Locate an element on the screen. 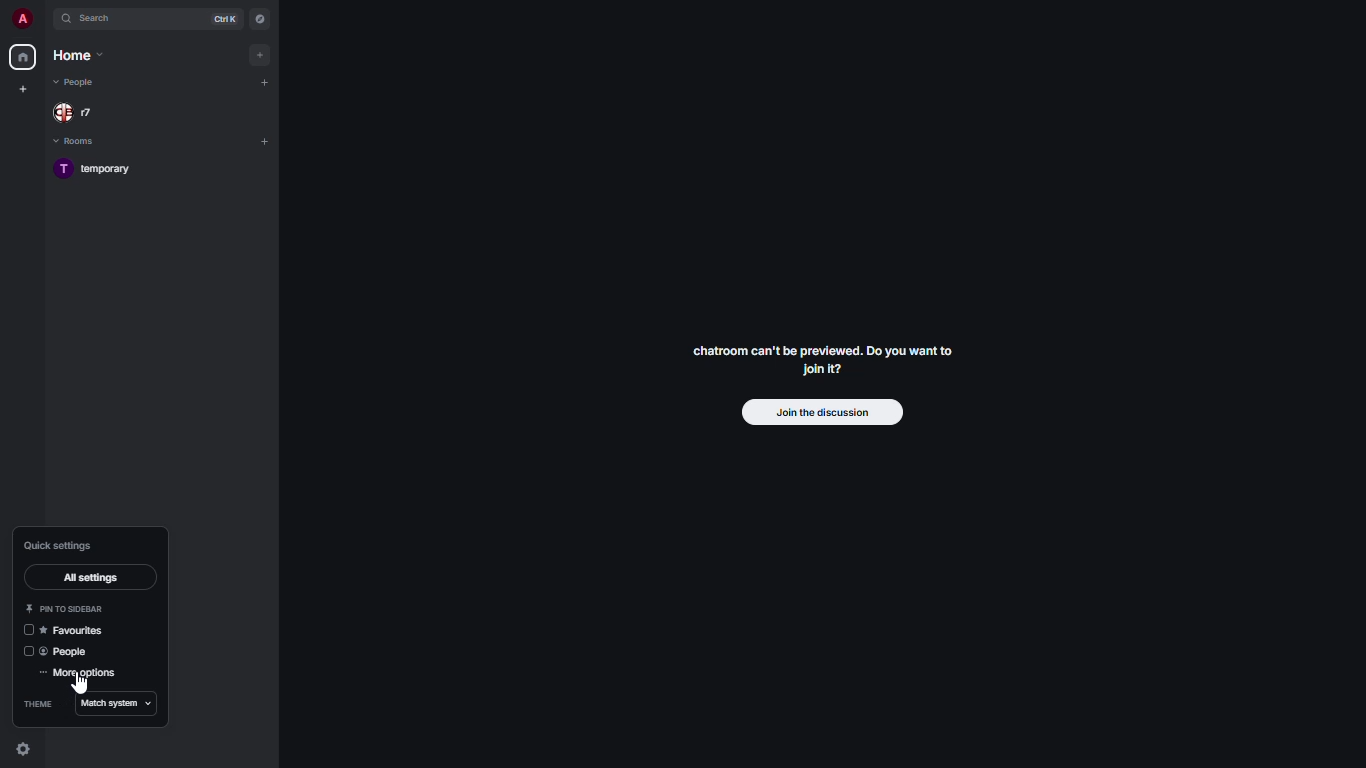 This screenshot has height=768, width=1366. join the discussion is located at coordinates (824, 413).